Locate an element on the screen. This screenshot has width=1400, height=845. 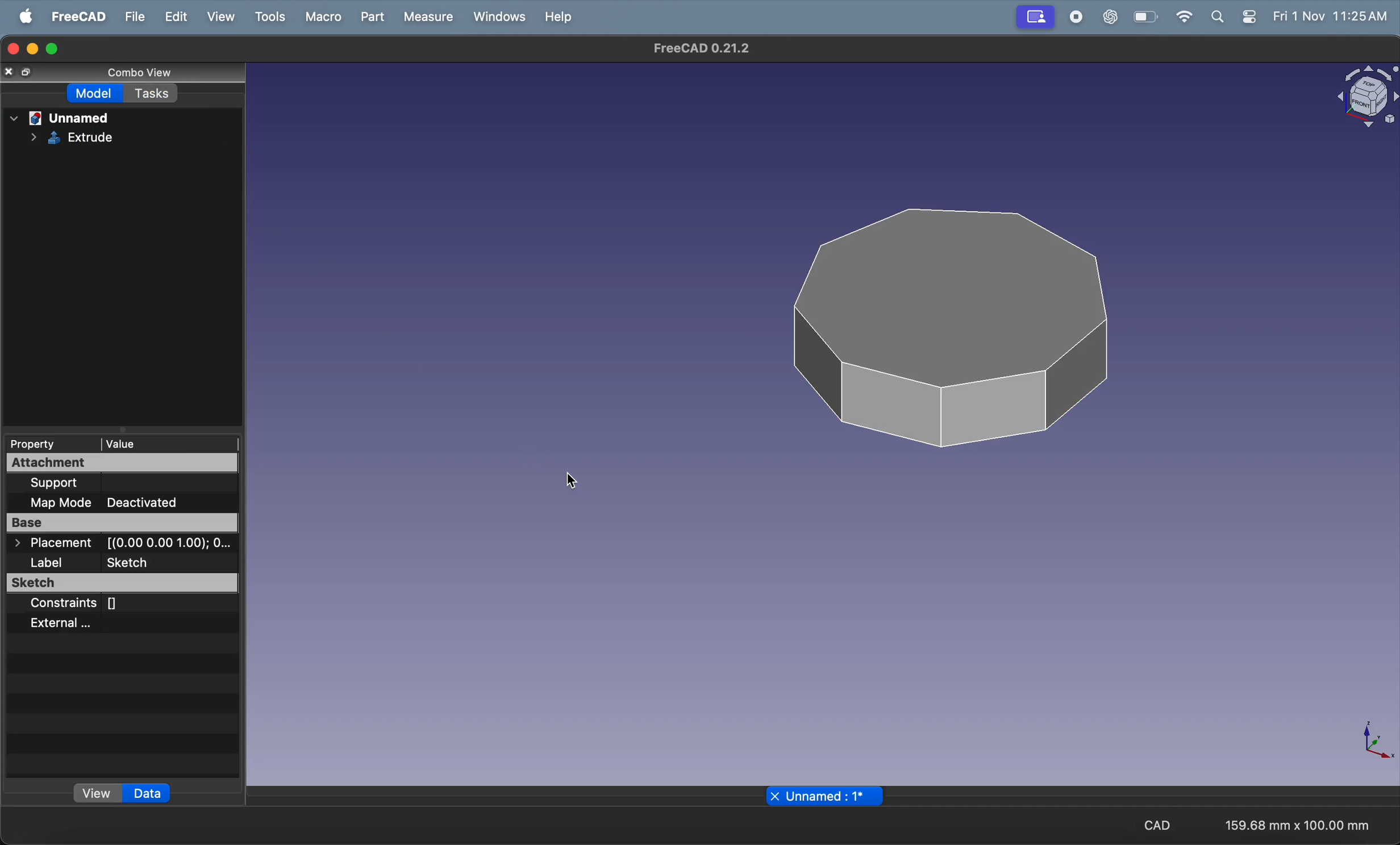
data is located at coordinates (148, 794).